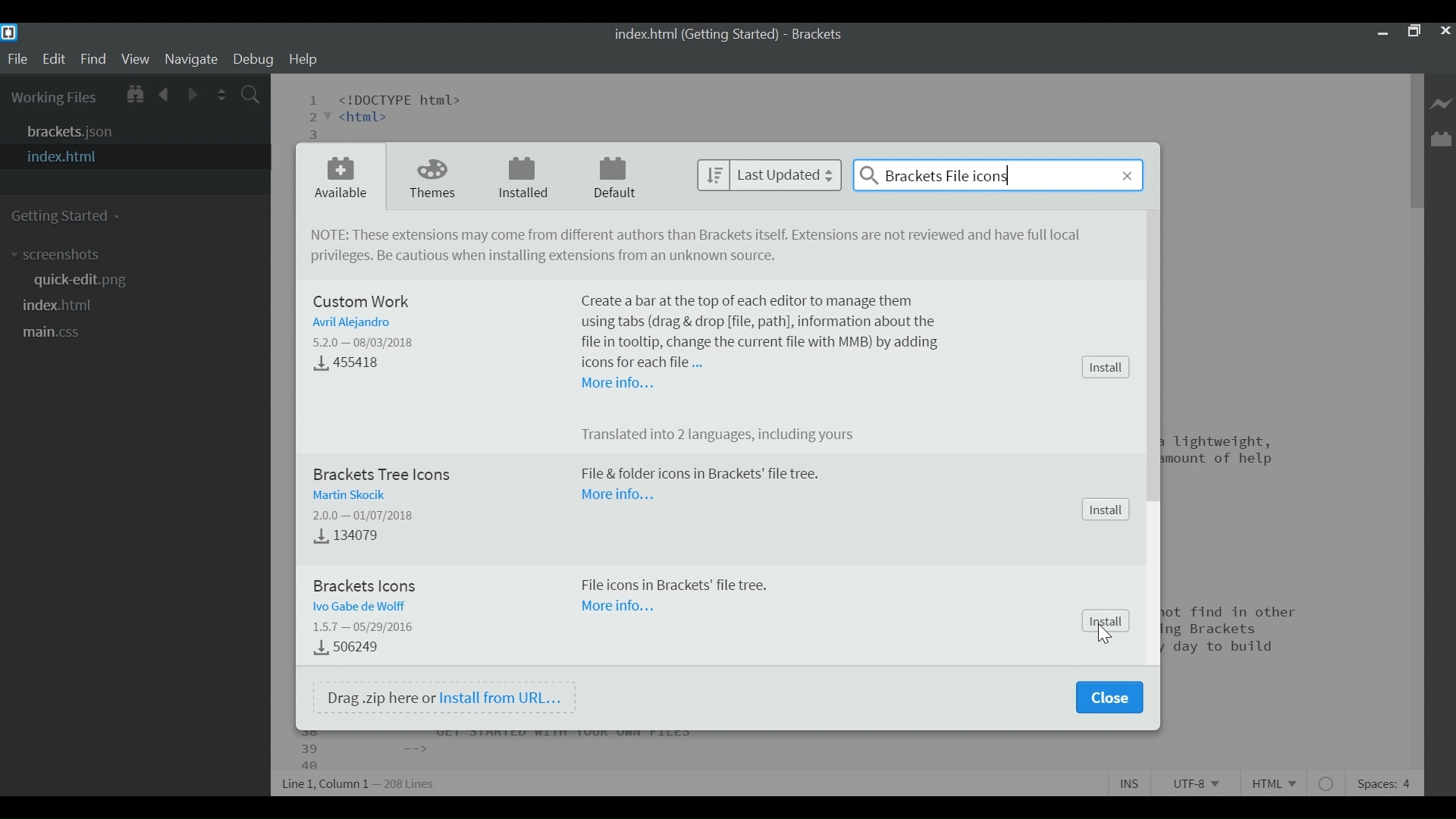  What do you see at coordinates (763, 329) in the screenshot?
I see `Create a bar at the top of each editor to manage them using tabs, information about the file tooltip` at bounding box center [763, 329].